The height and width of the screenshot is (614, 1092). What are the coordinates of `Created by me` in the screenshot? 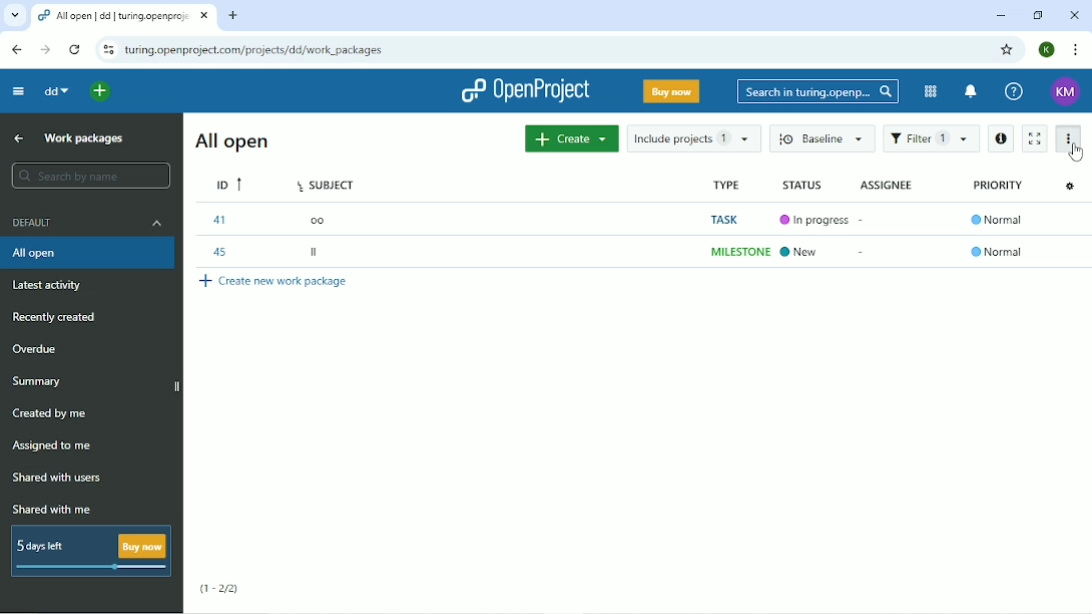 It's located at (52, 412).